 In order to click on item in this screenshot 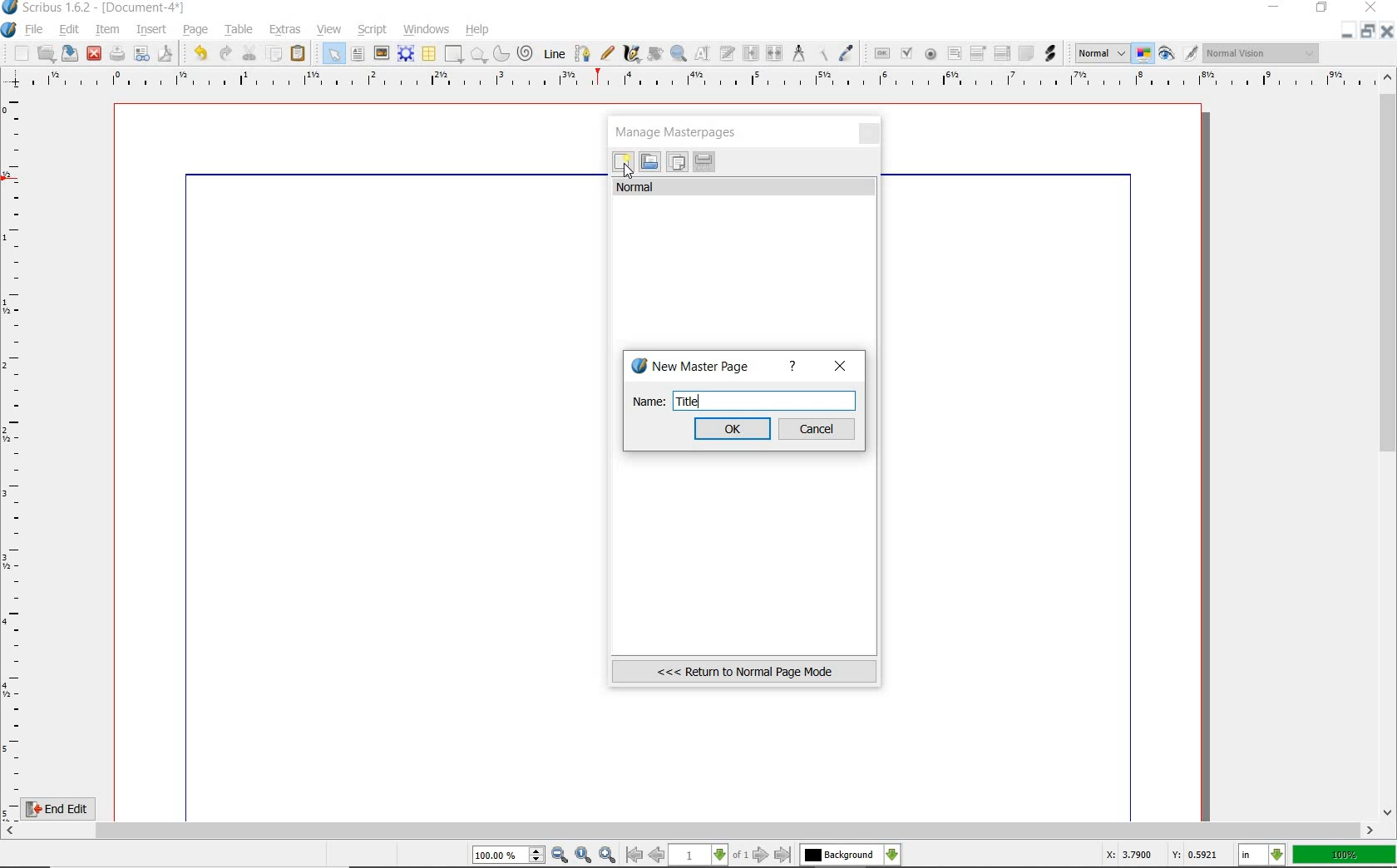, I will do `click(108, 31)`.